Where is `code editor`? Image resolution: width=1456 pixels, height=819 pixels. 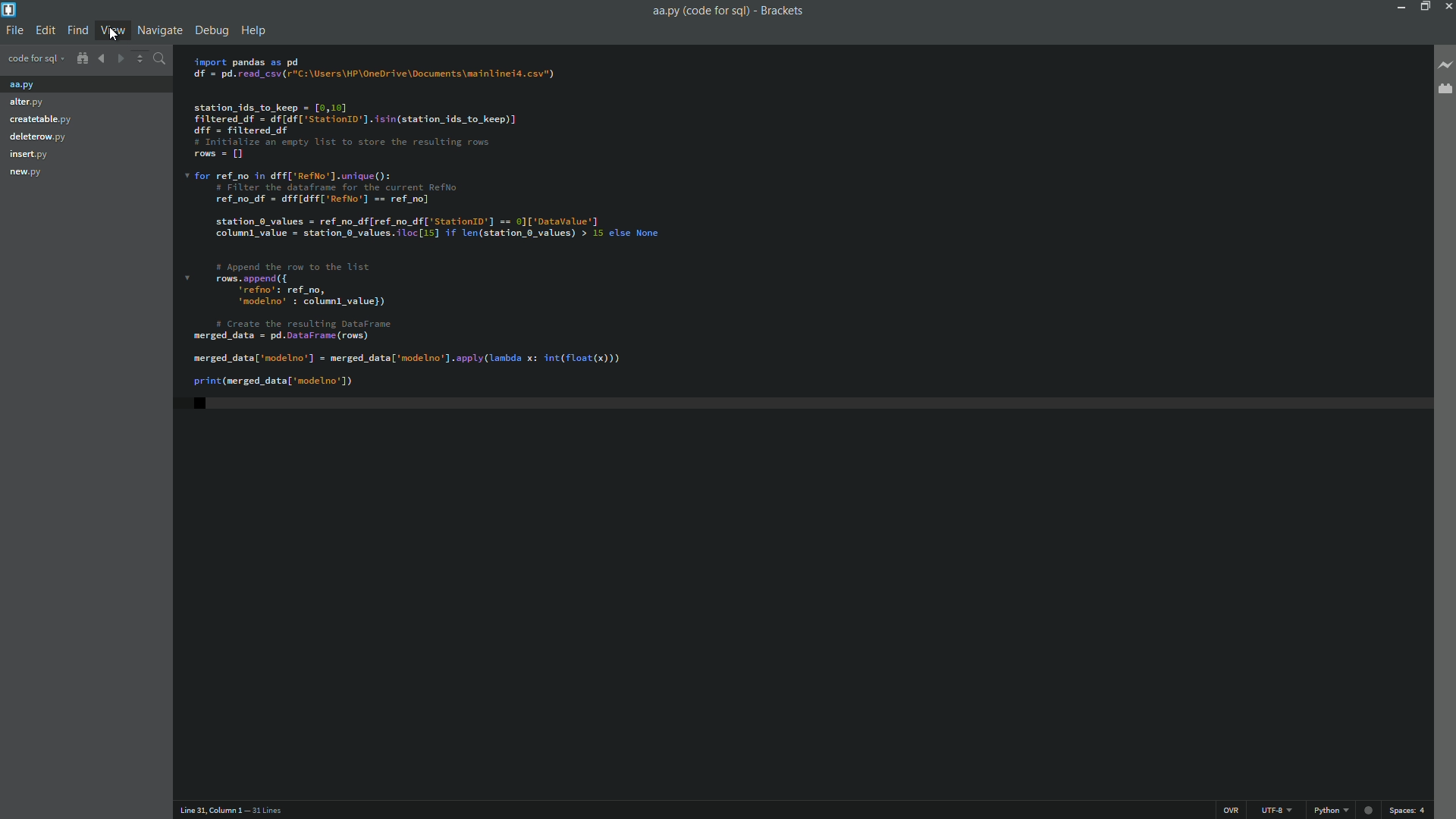 code editor is located at coordinates (443, 234).